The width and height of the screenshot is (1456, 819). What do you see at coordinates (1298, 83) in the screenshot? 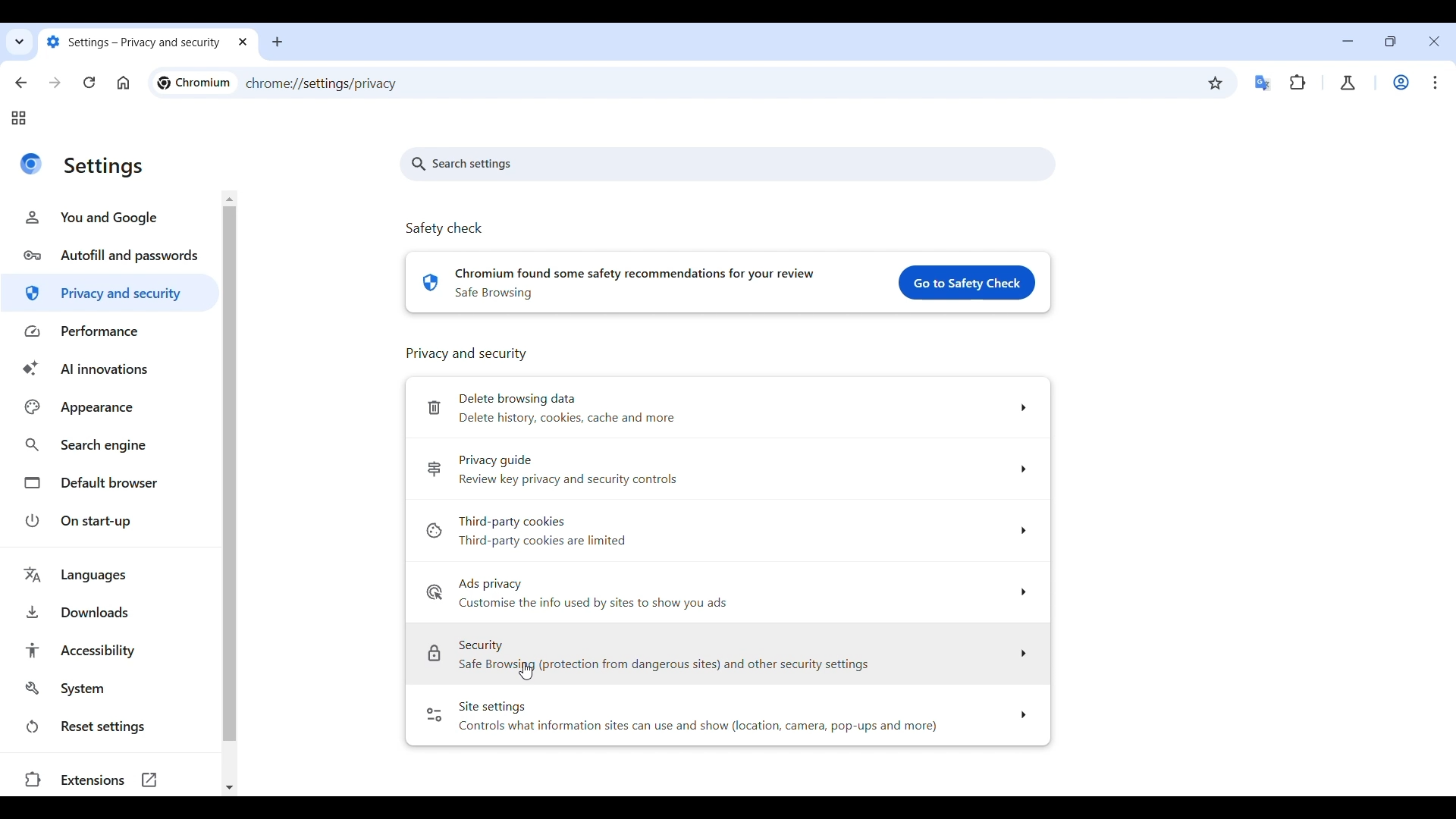
I see `Extensions` at bounding box center [1298, 83].